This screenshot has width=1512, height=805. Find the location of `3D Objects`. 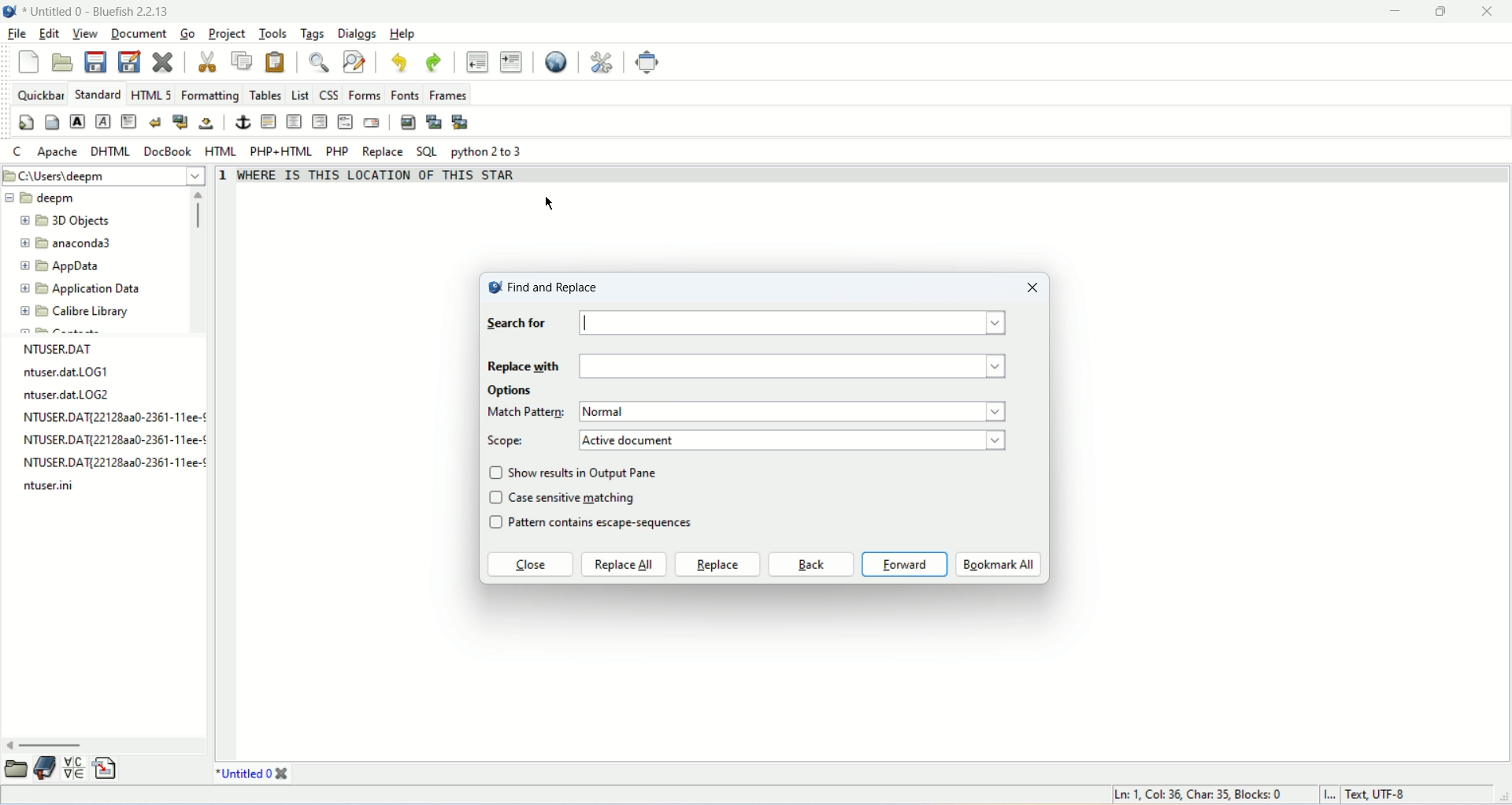

3D Objects is located at coordinates (67, 222).